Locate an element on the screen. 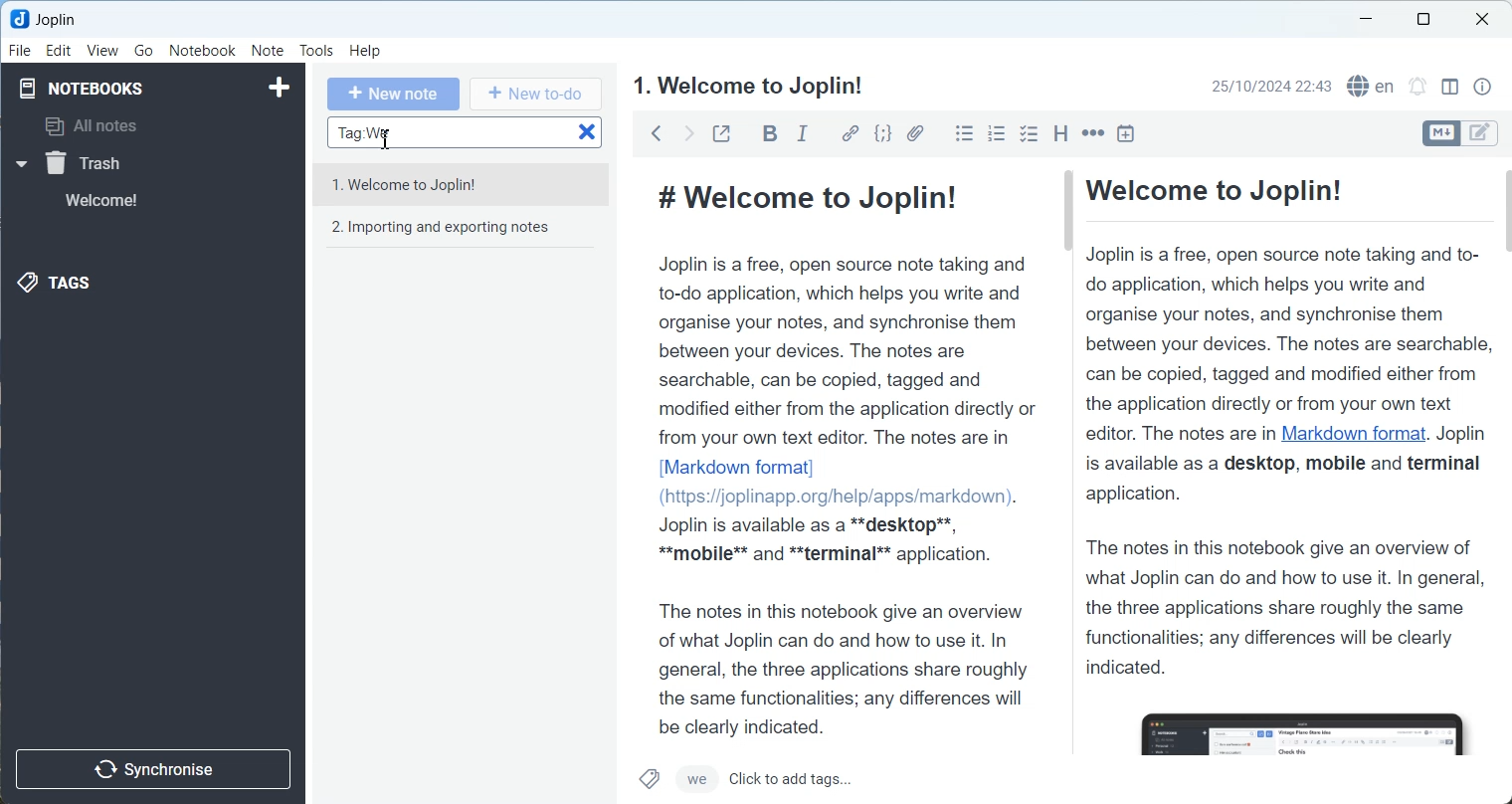 The height and width of the screenshot is (804, 1512). Create Notebook is located at coordinates (277, 88).